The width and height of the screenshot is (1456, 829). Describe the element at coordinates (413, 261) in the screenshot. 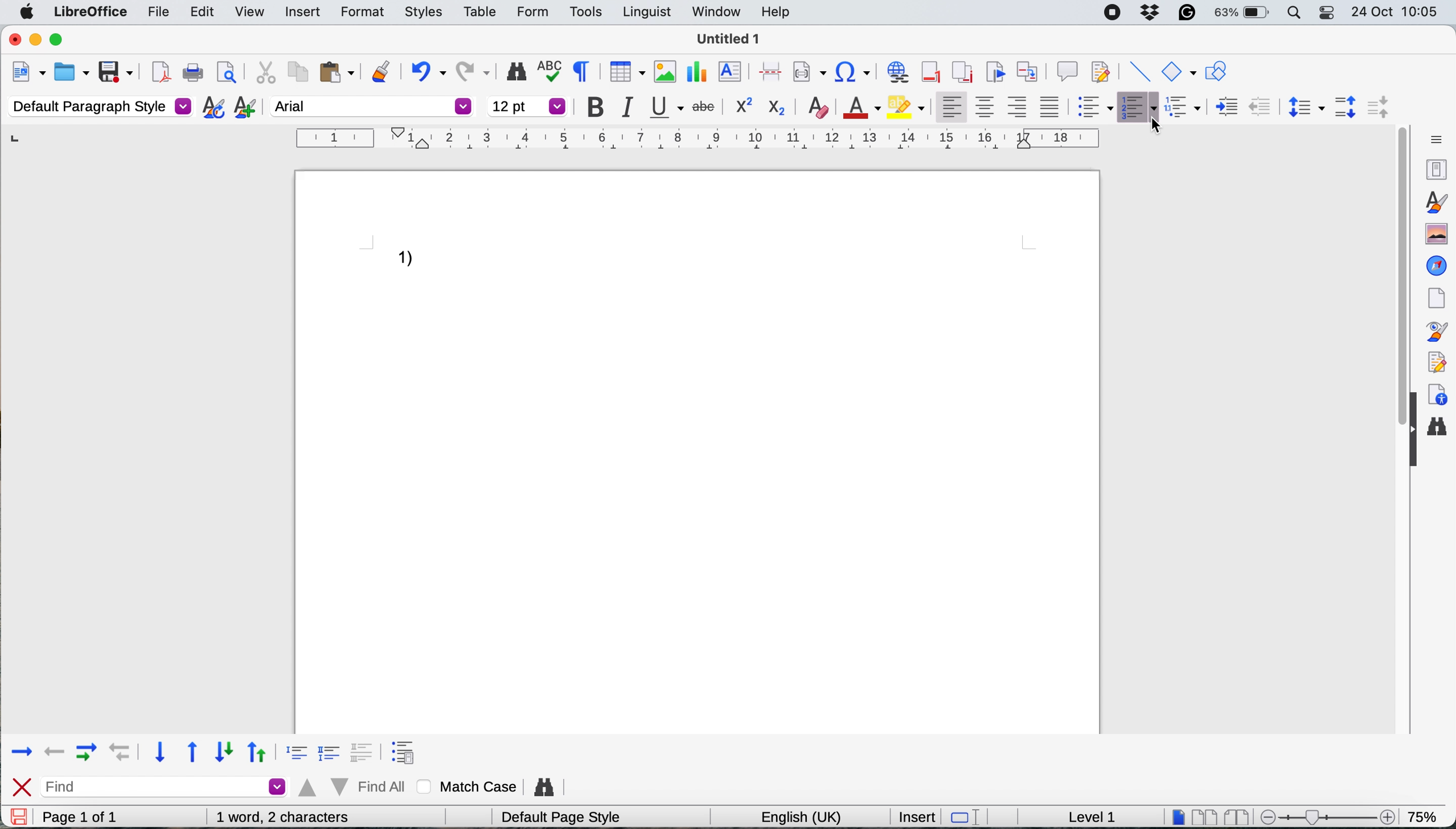

I see `numbered list inserted` at that location.